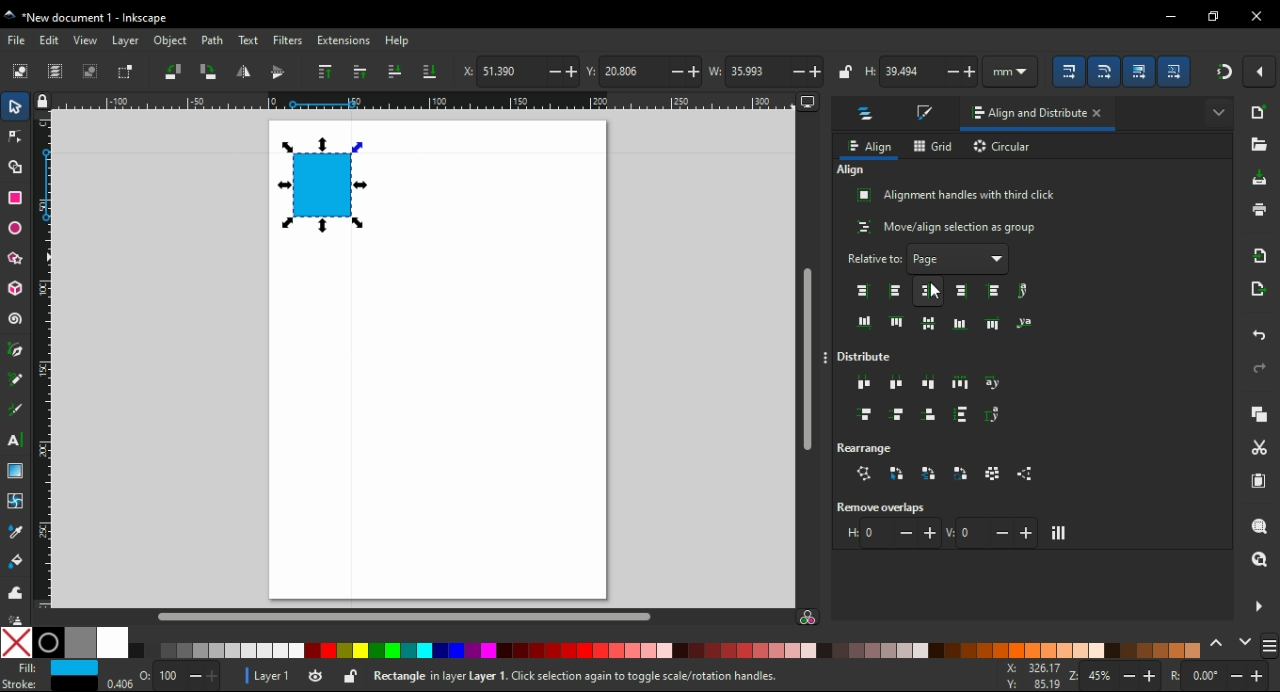 This screenshot has height=692, width=1280. I want to click on help, so click(398, 41).